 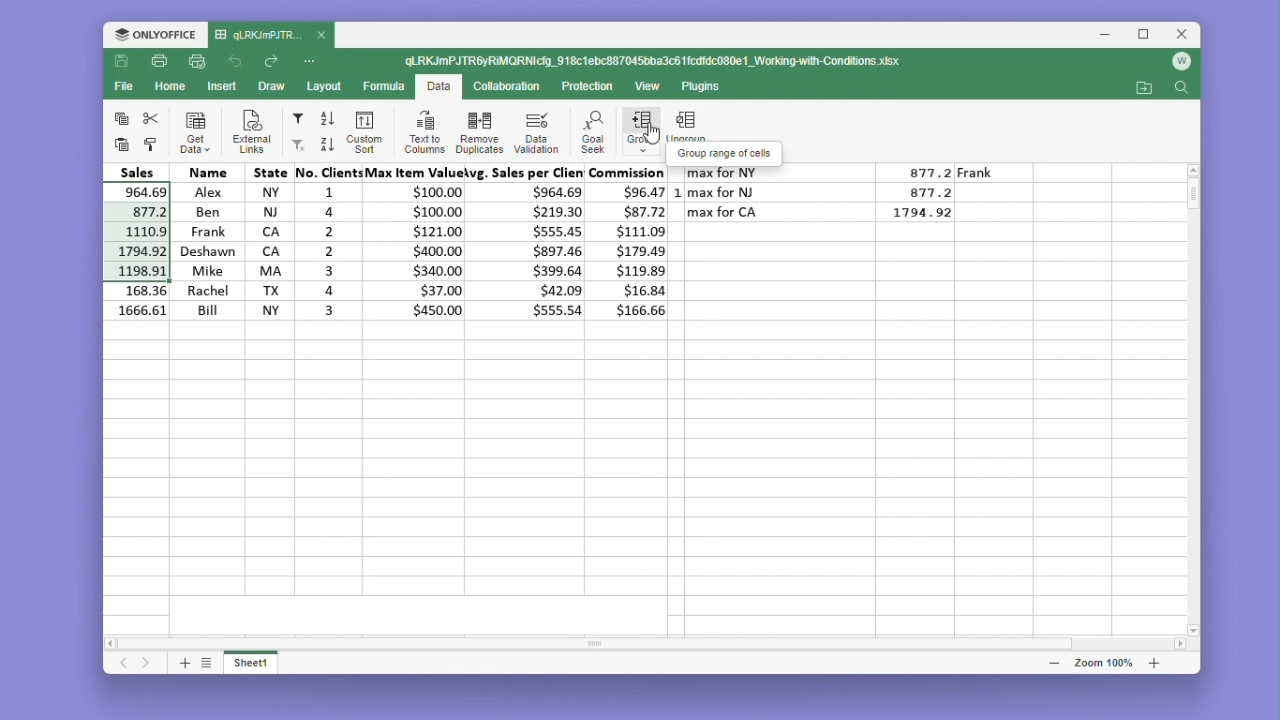 What do you see at coordinates (385, 85) in the screenshot?
I see `Formula` at bounding box center [385, 85].